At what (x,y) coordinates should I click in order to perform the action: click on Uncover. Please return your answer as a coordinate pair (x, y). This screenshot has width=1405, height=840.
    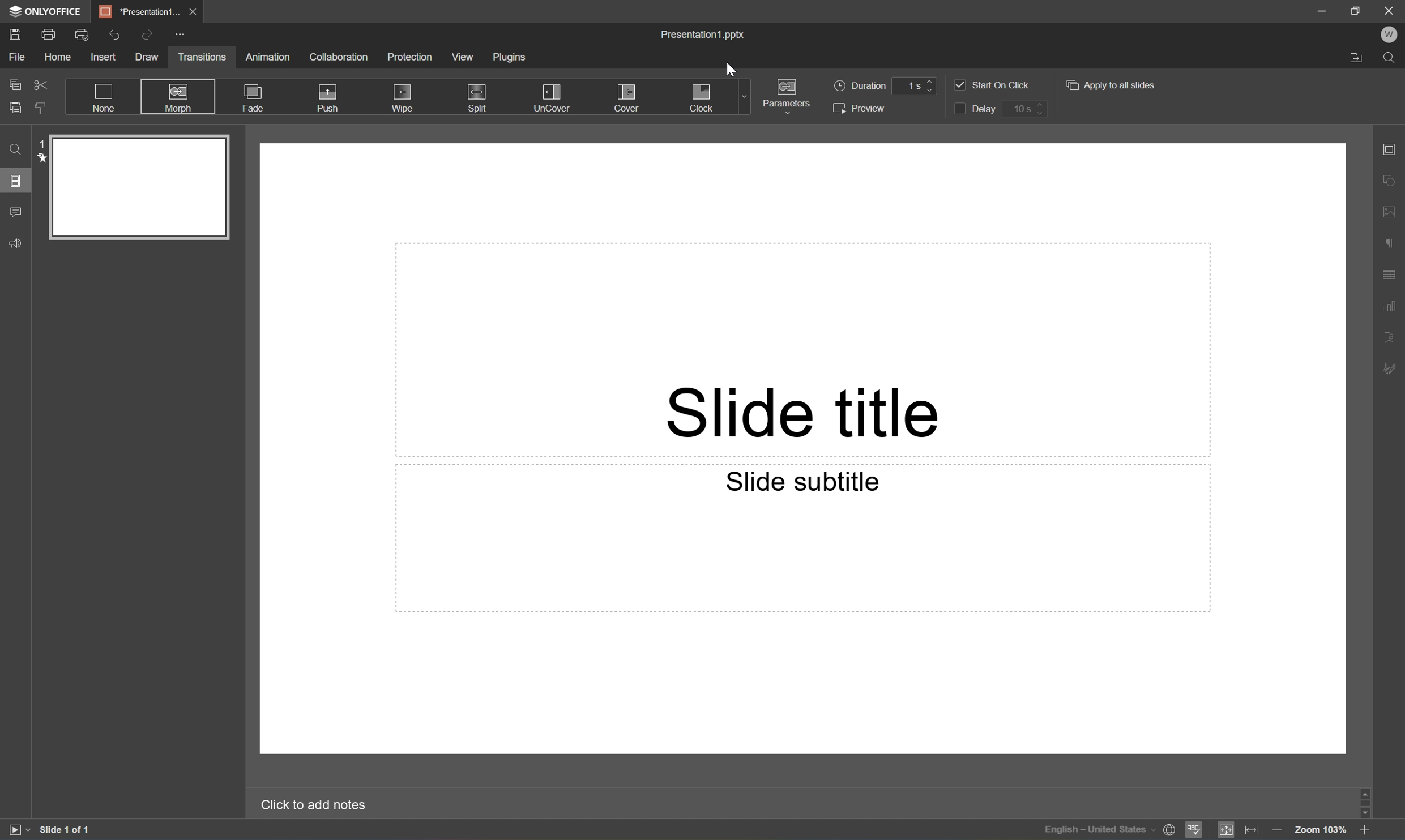
    Looking at the image, I should click on (553, 97).